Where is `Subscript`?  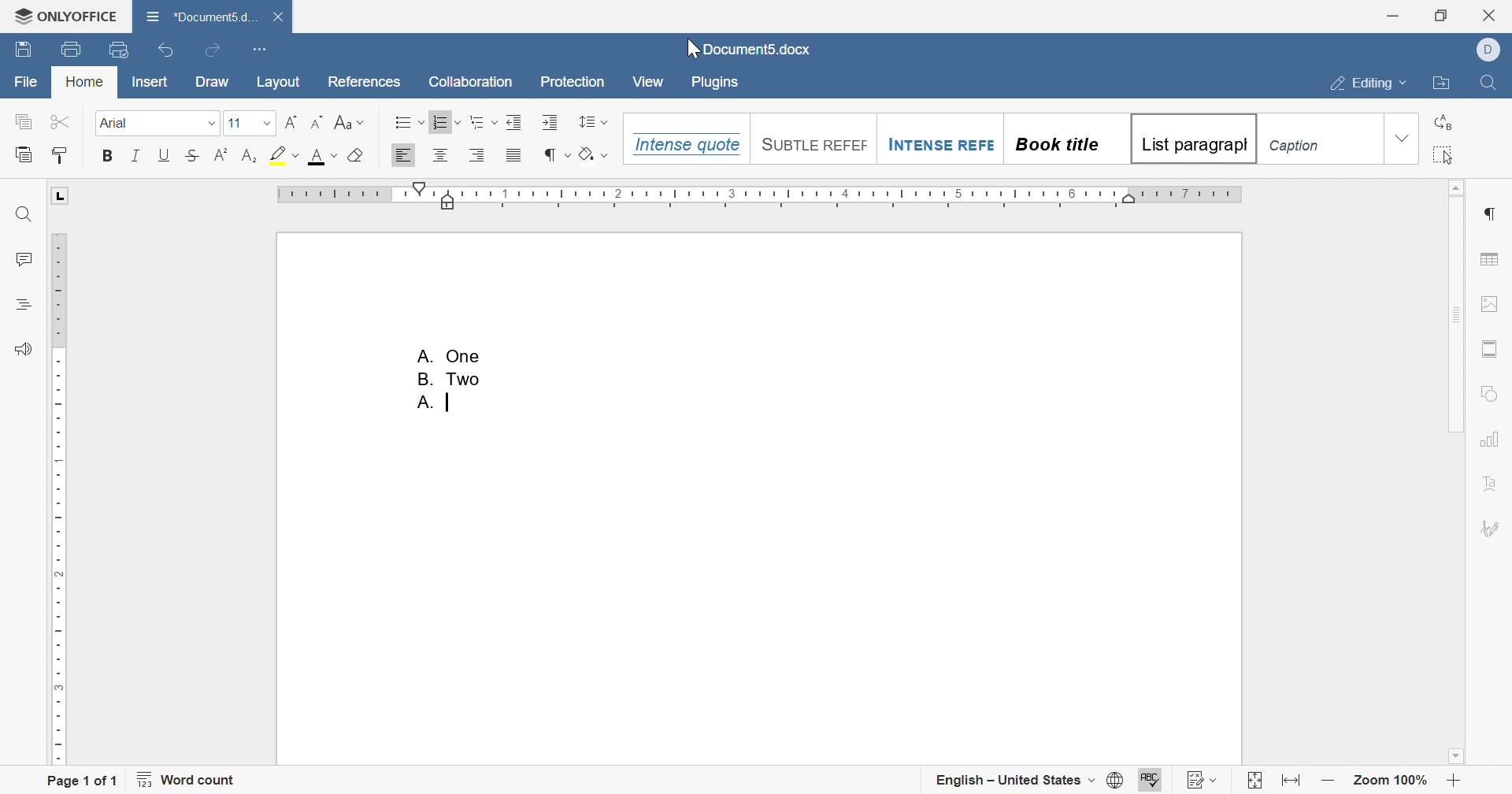
Subscript is located at coordinates (248, 155).